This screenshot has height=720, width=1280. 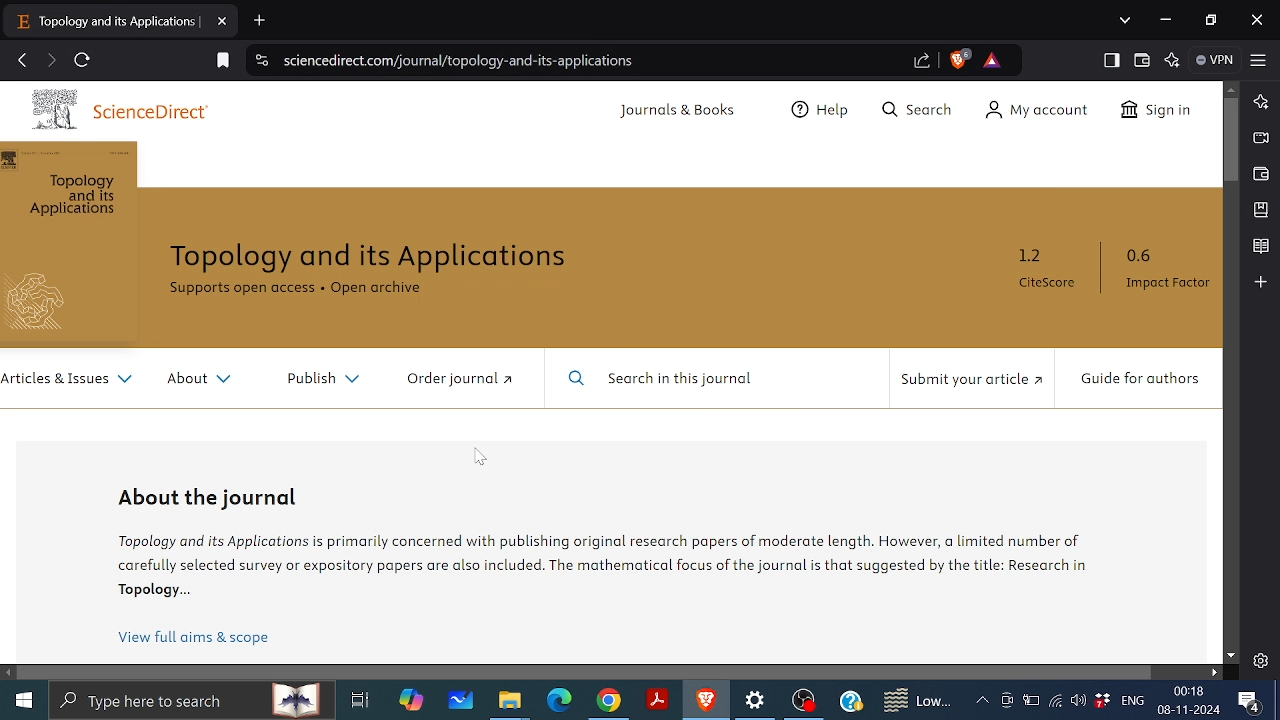 What do you see at coordinates (682, 297) in the screenshot?
I see `cursor` at bounding box center [682, 297].